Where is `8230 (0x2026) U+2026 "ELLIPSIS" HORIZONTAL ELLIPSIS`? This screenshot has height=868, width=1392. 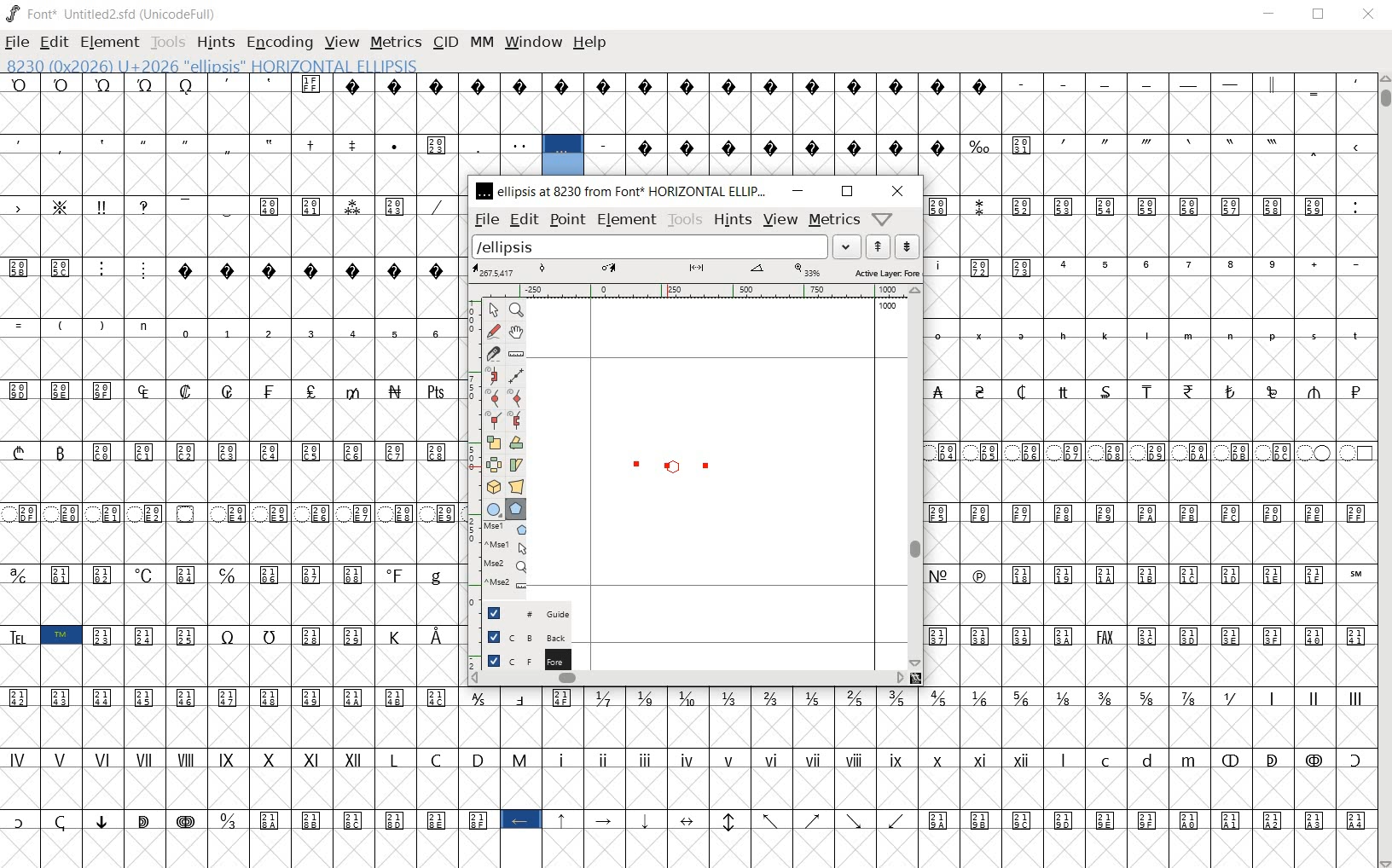
8230 (0x2026) U+2026 "ELLIPSIS" HORIZONTAL ELLIPSIS is located at coordinates (563, 156).